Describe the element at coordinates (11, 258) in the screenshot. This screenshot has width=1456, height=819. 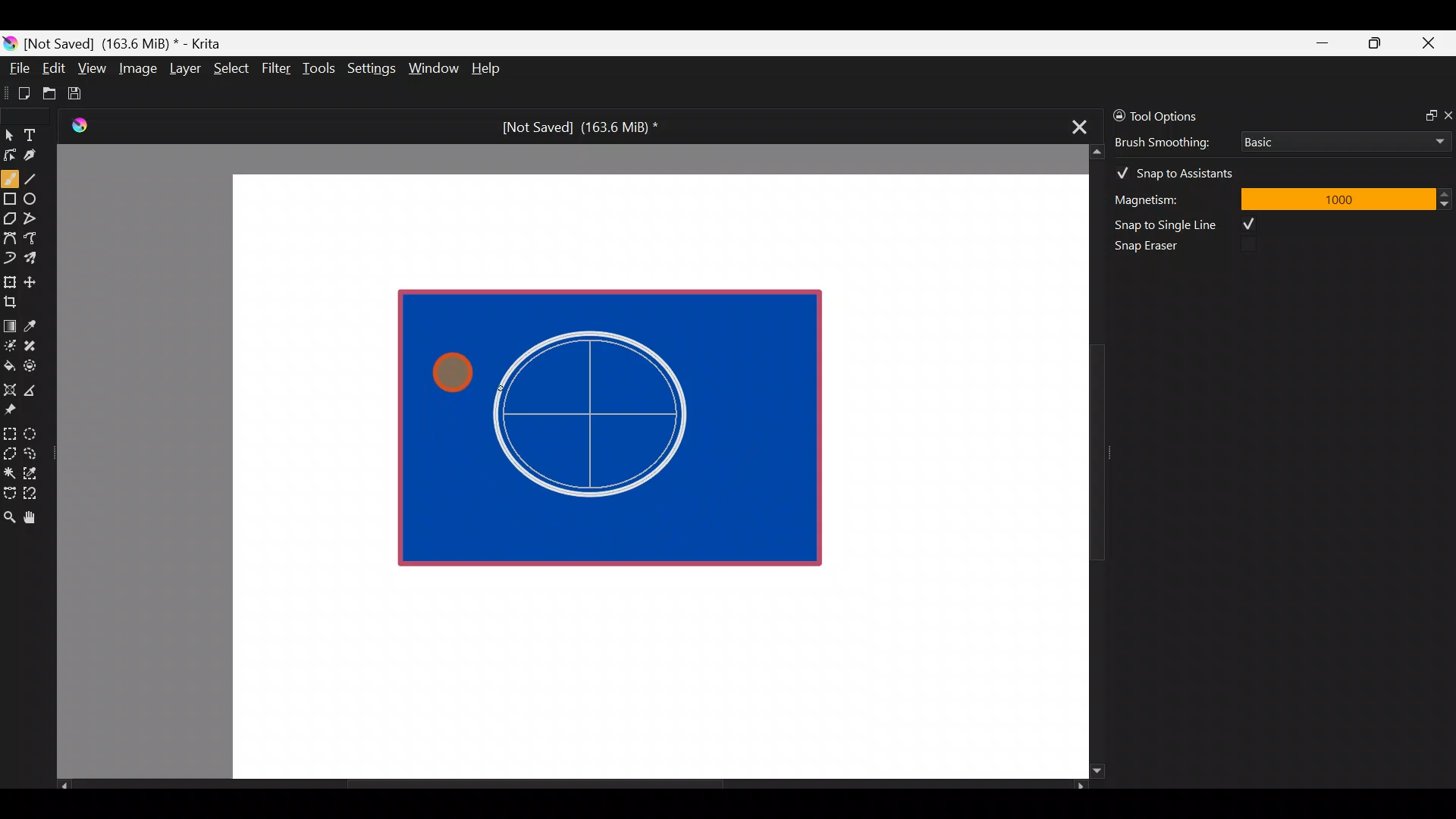
I see `Dynamic brush tool` at that location.